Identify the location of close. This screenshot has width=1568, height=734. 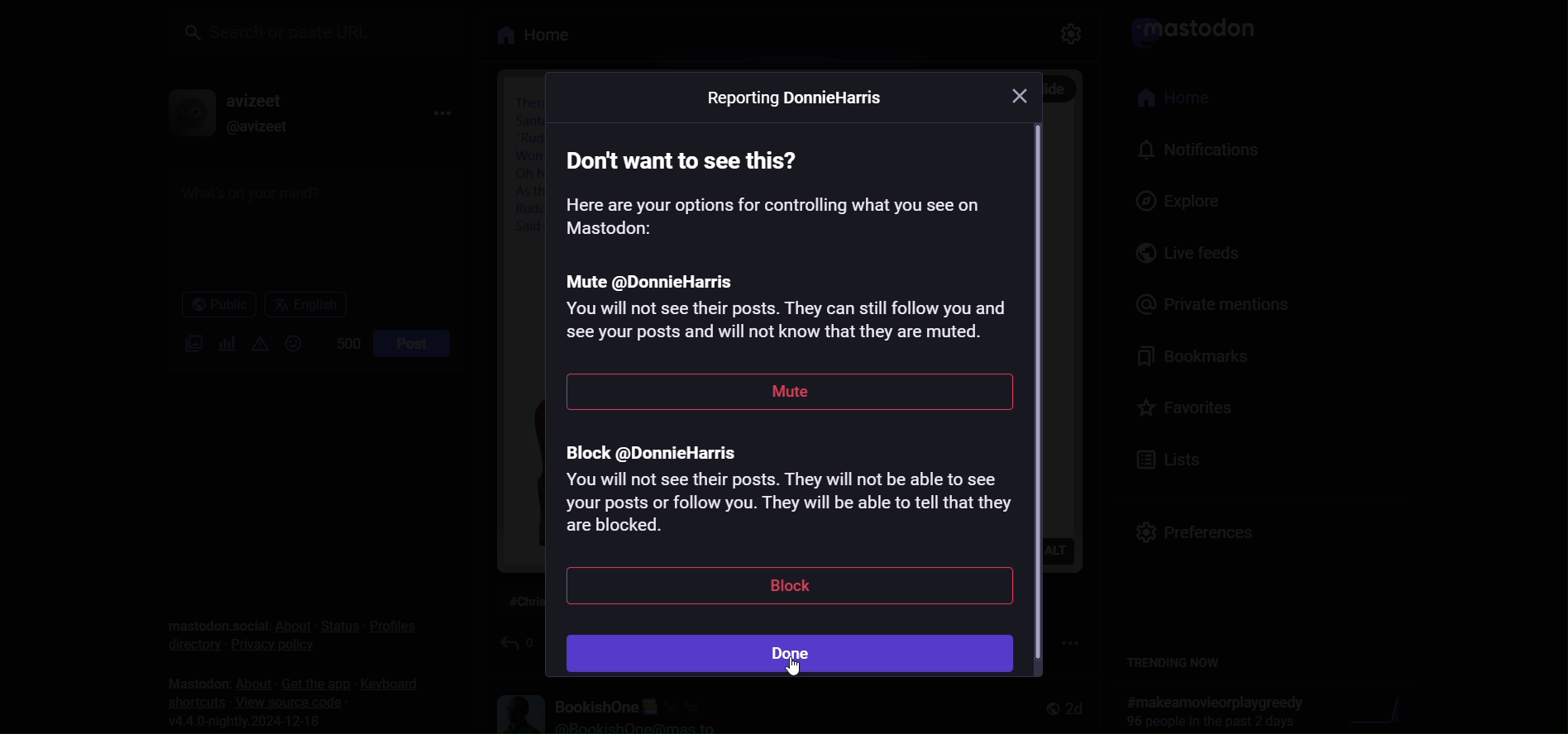
(1019, 97).